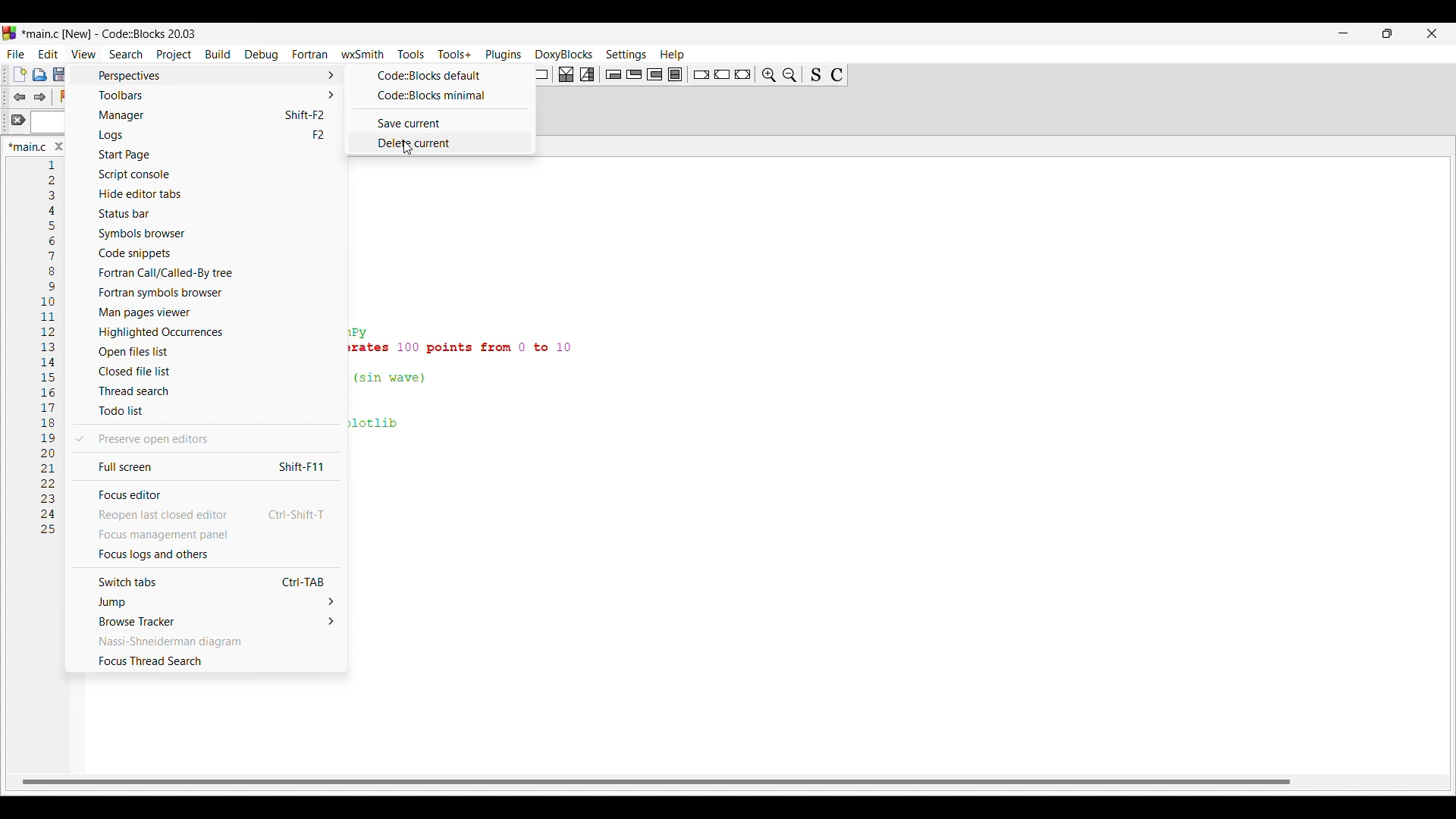 The width and height of the screenshot is (1456, 819). Describe the element at coordinates (1344, 33) in the screenshot. I see `Minimize` at that location.